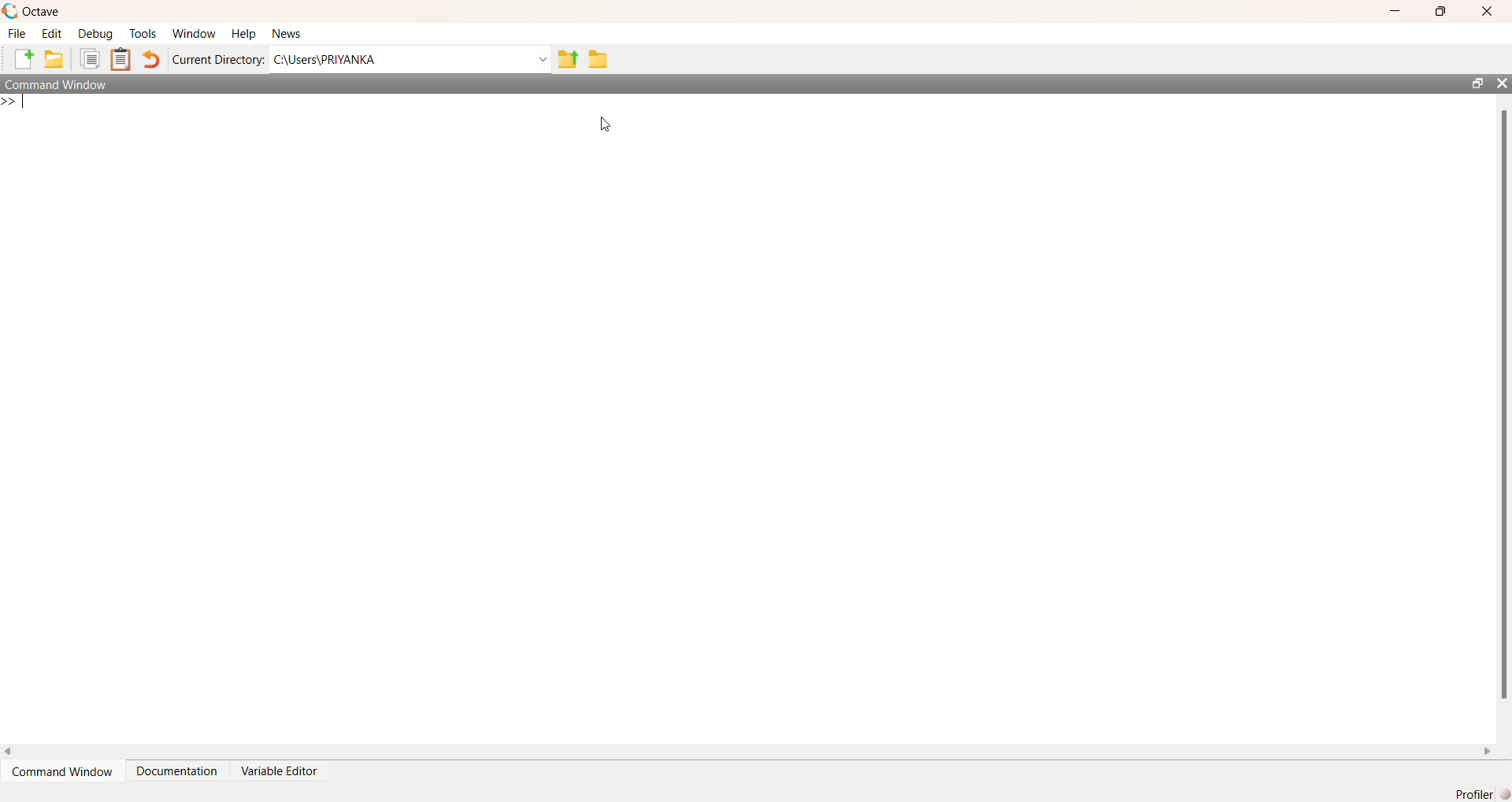 This screenshot has height=802, width=1512. What do you see at coordinates (245, 34) in the screenshot?
I see `Help` at bounding box center [245, 34].